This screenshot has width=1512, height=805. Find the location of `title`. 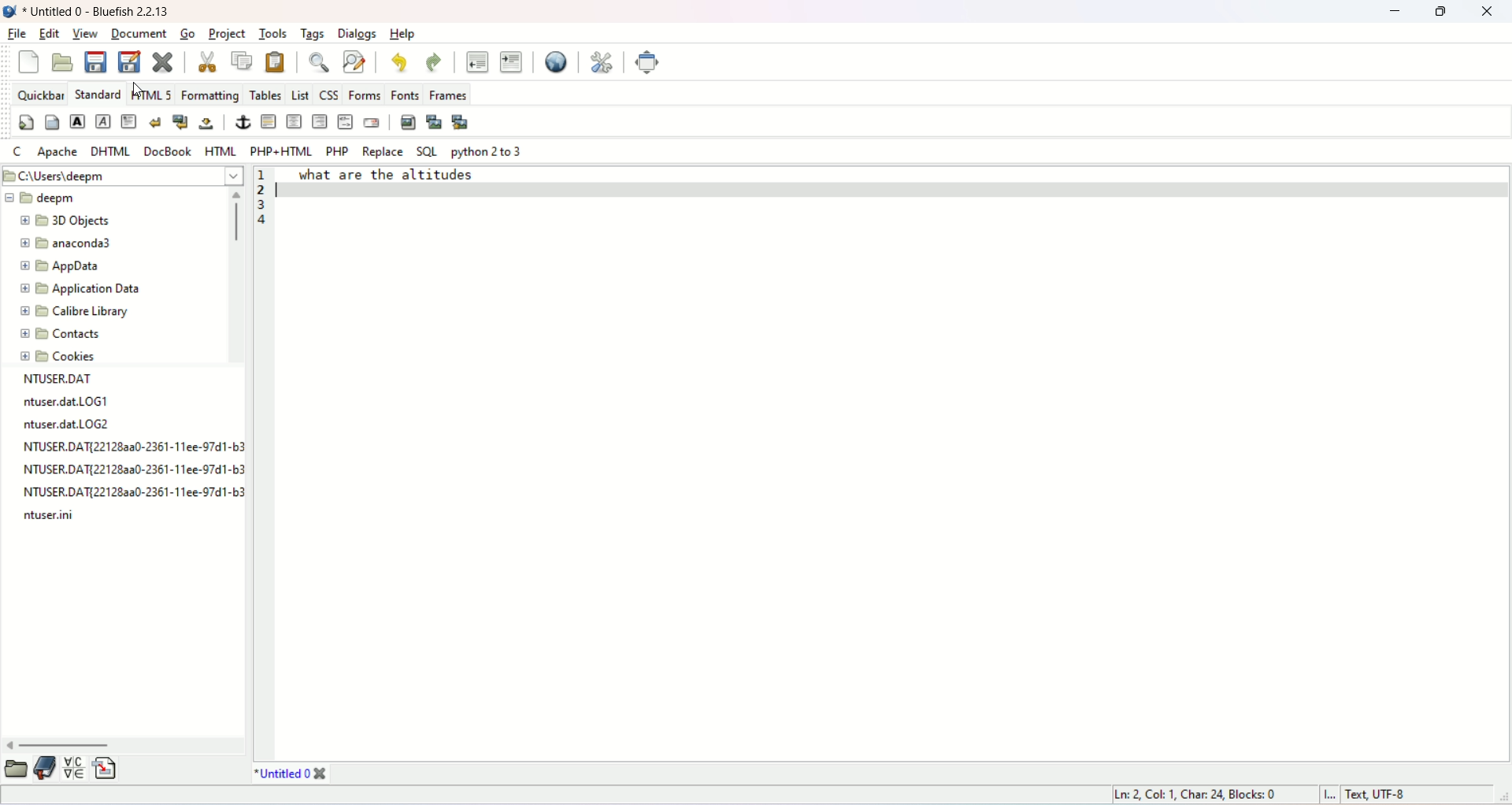

title is located at coordinates (98, 13).